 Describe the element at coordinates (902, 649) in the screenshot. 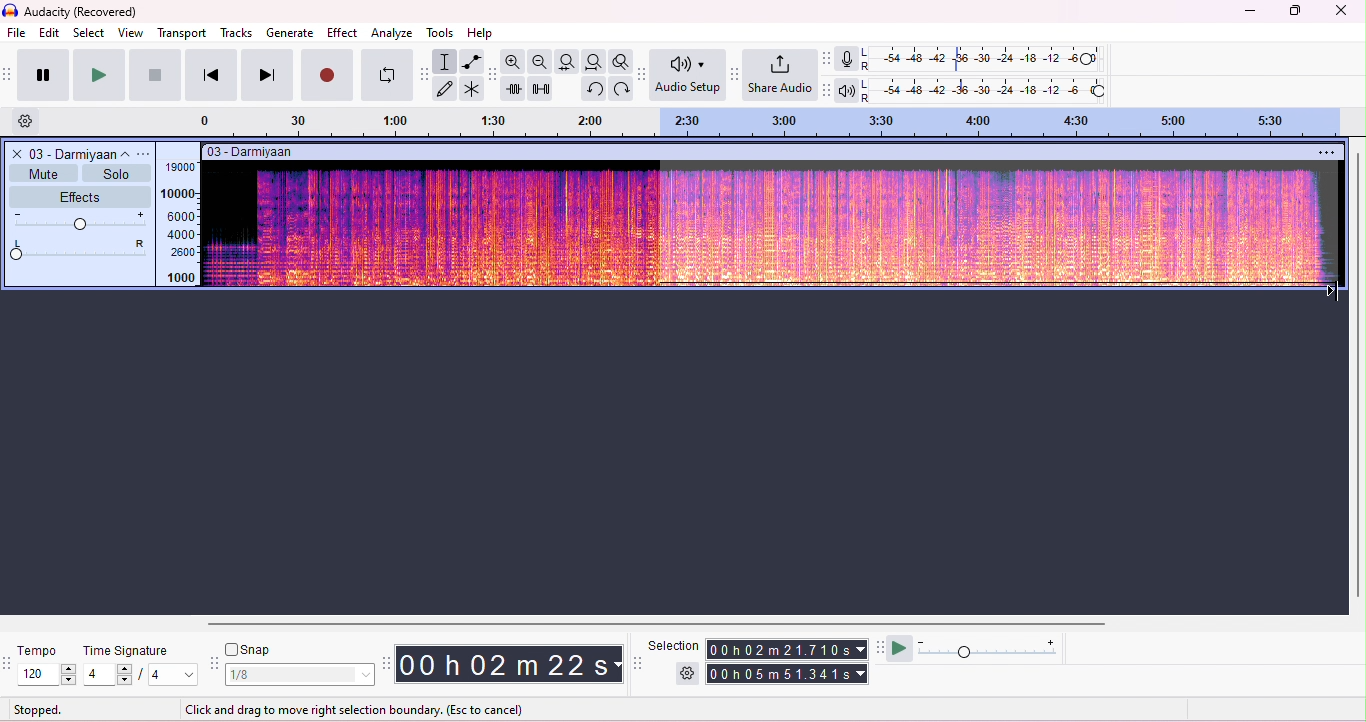

I see `play at speed/ play at speed once` at that location.